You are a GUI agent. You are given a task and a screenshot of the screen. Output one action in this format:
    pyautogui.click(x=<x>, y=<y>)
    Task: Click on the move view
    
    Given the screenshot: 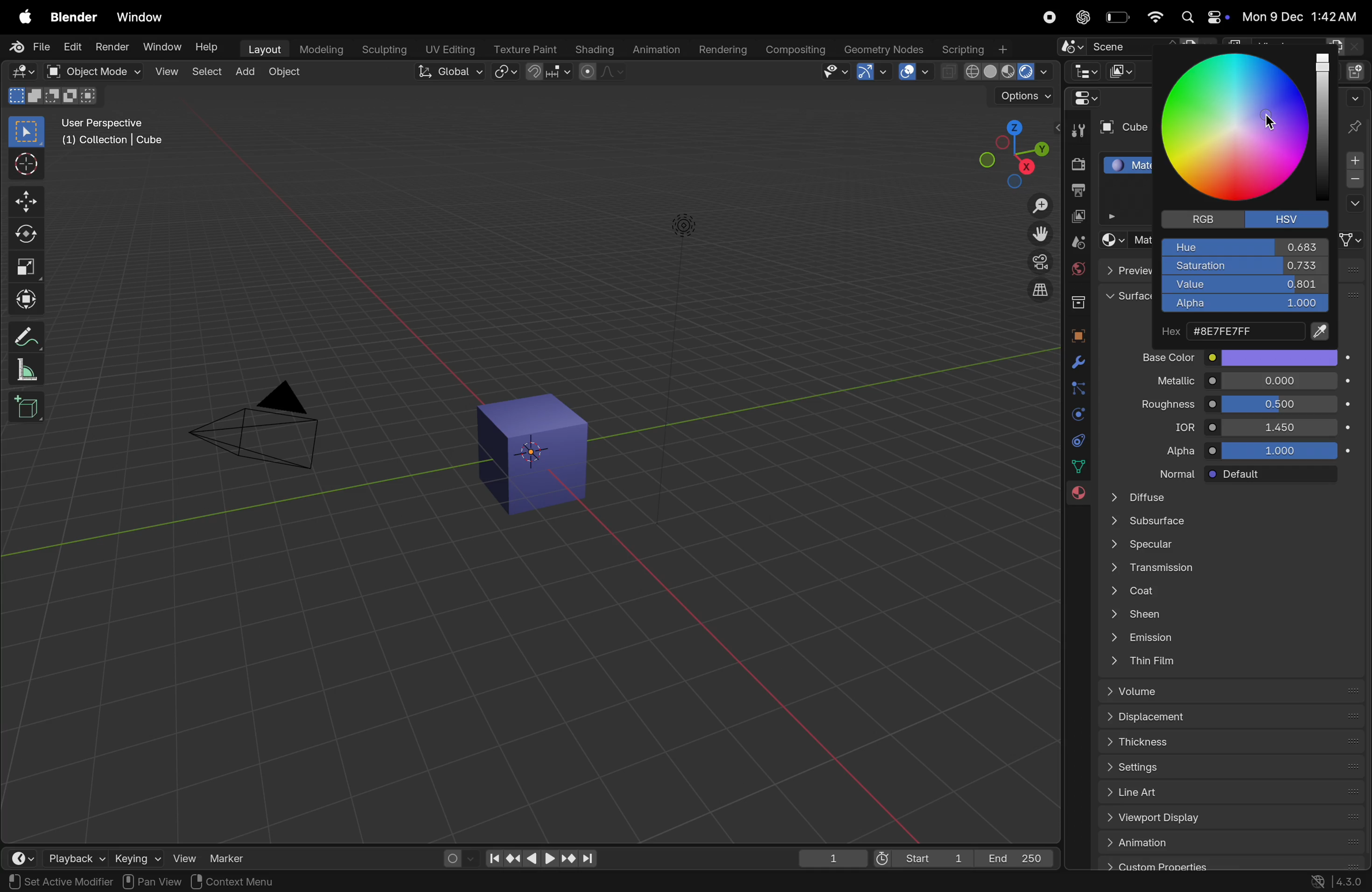 What is the action you would take?
    pyautogui.click(x=1041, y=234)
    